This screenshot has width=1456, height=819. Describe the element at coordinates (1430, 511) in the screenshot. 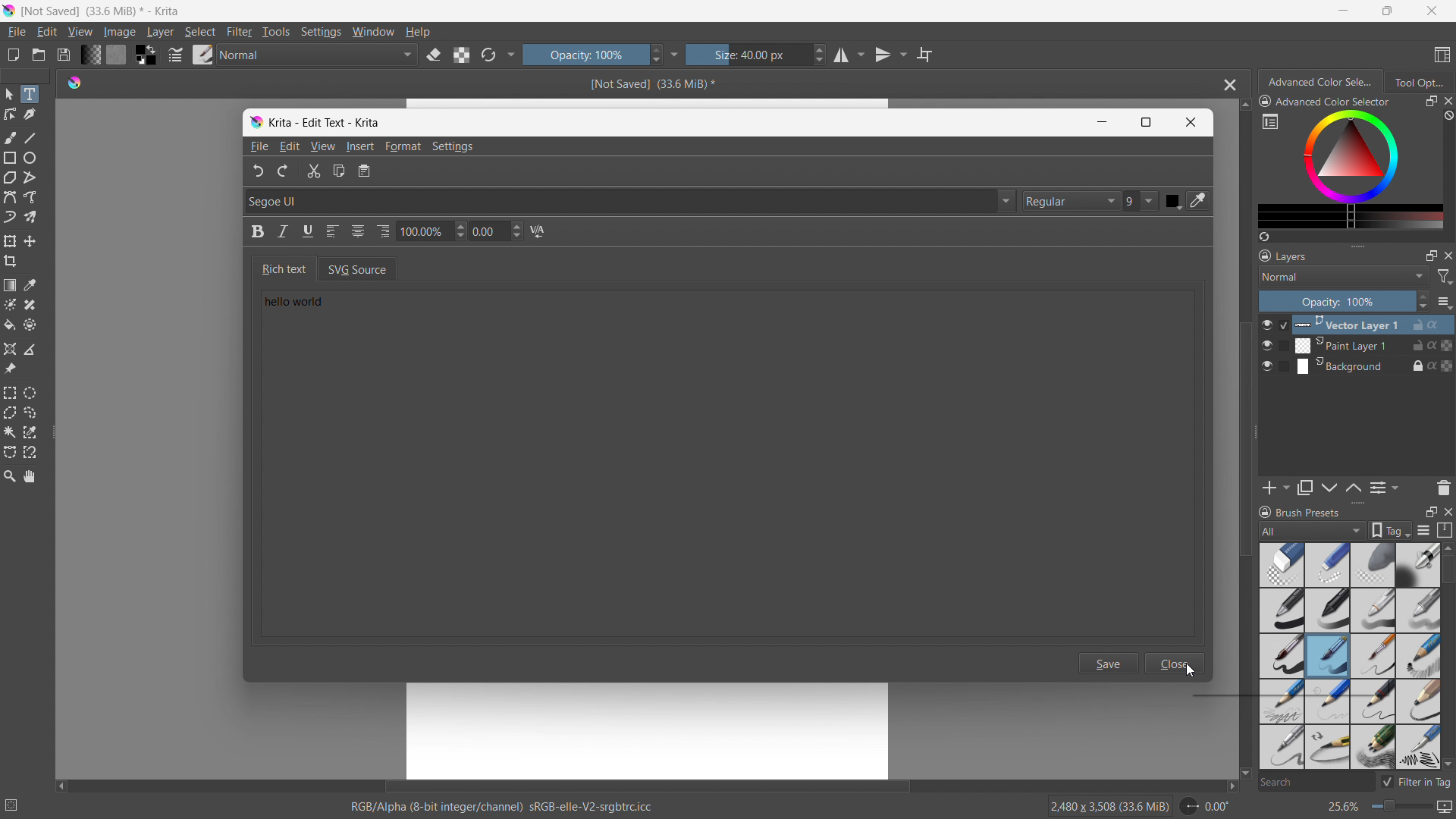

I see `maximize` at that location.